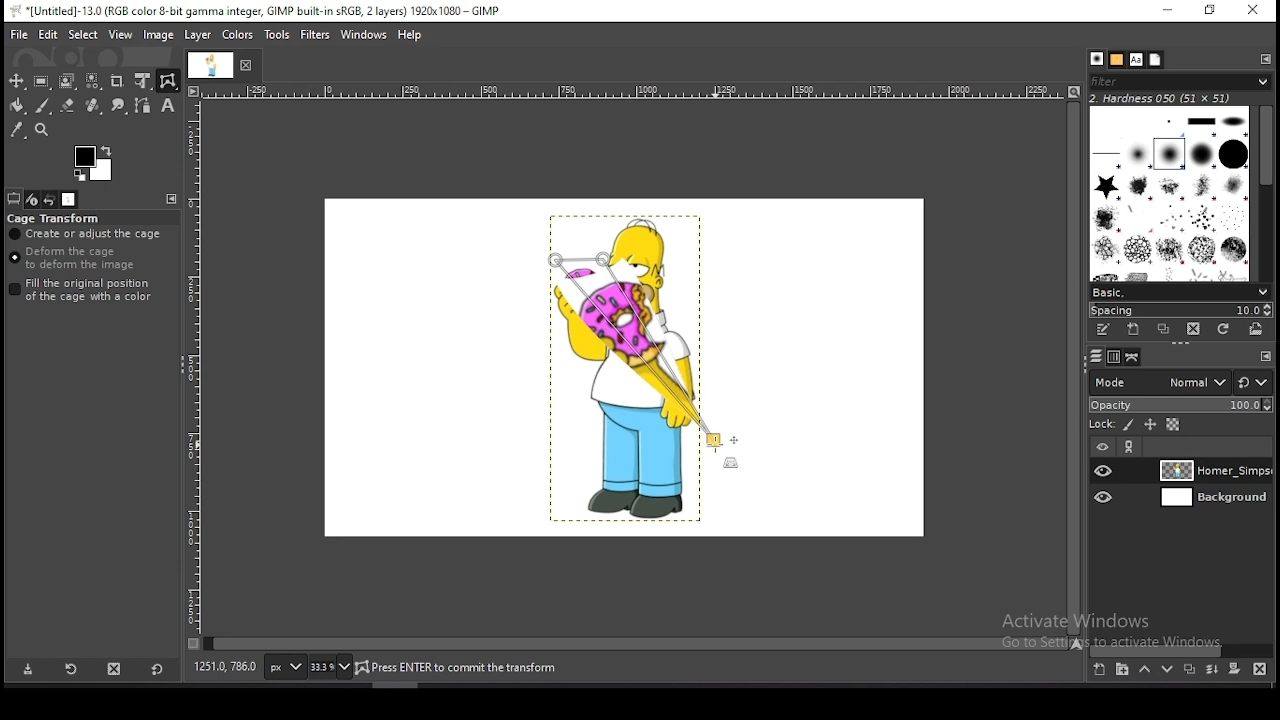 Image resolution: width=1280 pixels, height=720 pixels. Describe the element at coordinates (1207, 11) in the screenshot. I see `restore` at that location.